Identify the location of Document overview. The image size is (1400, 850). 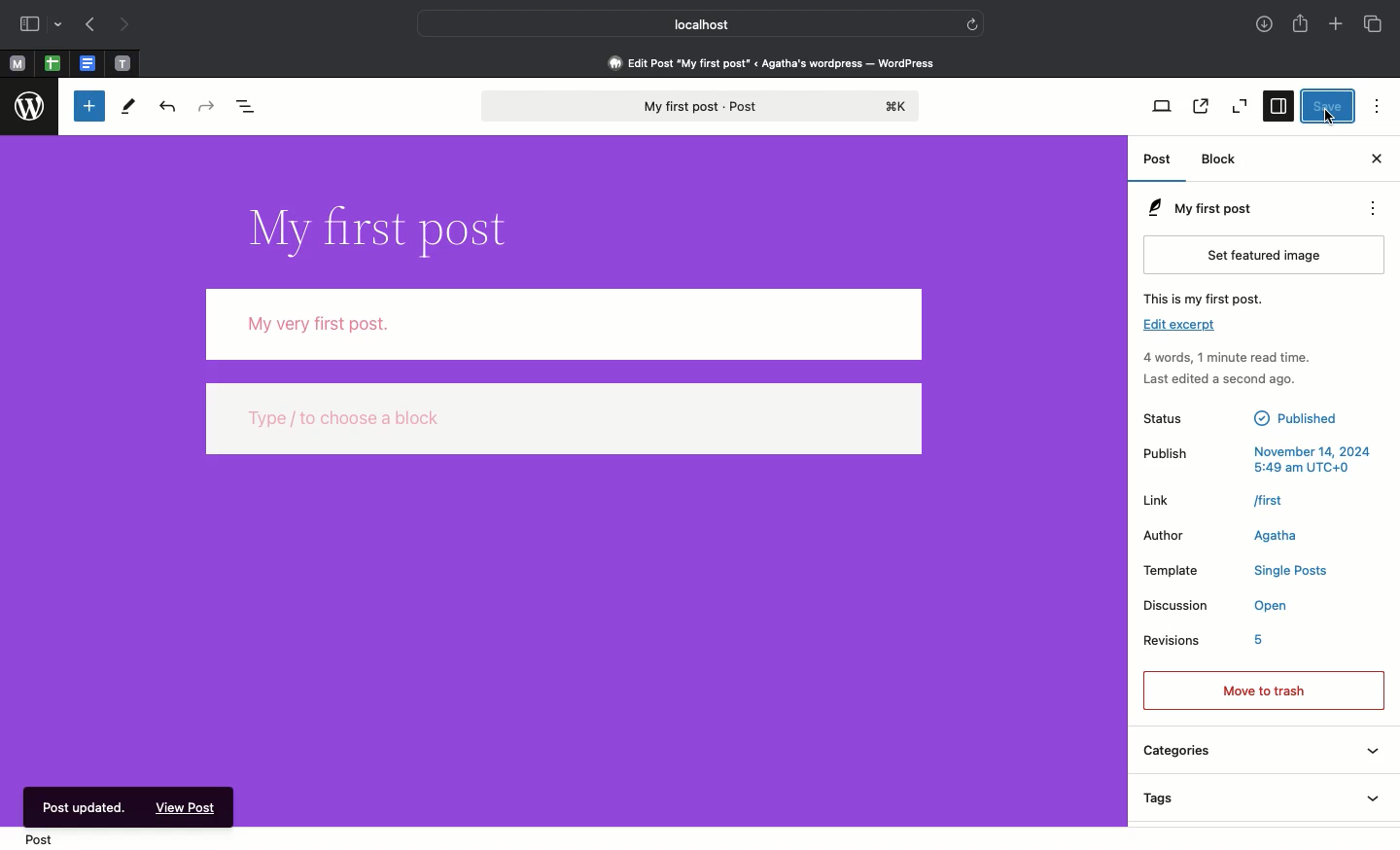
(253, 108).